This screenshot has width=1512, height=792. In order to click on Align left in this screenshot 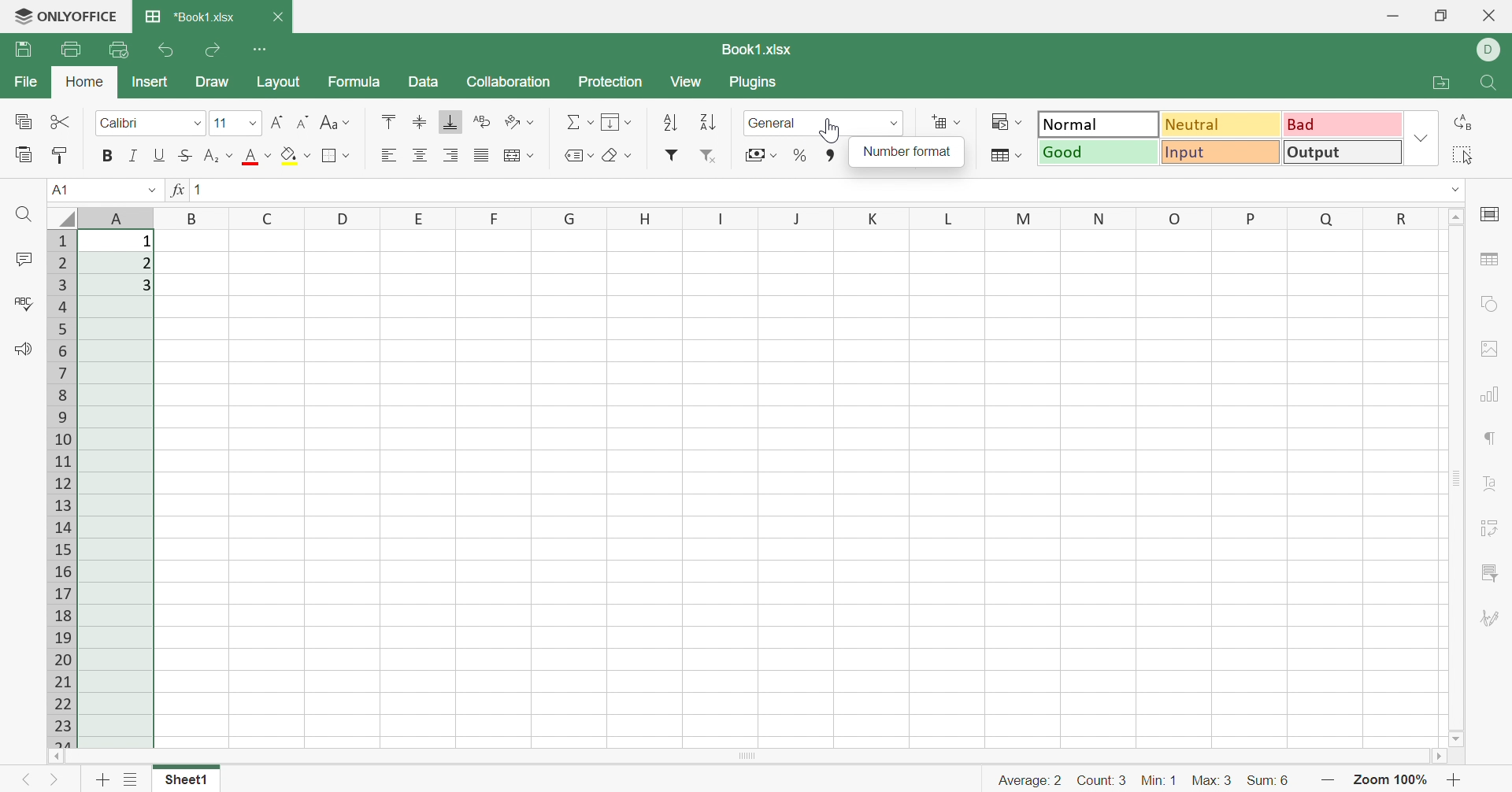, I will do `click(387, 156)`.